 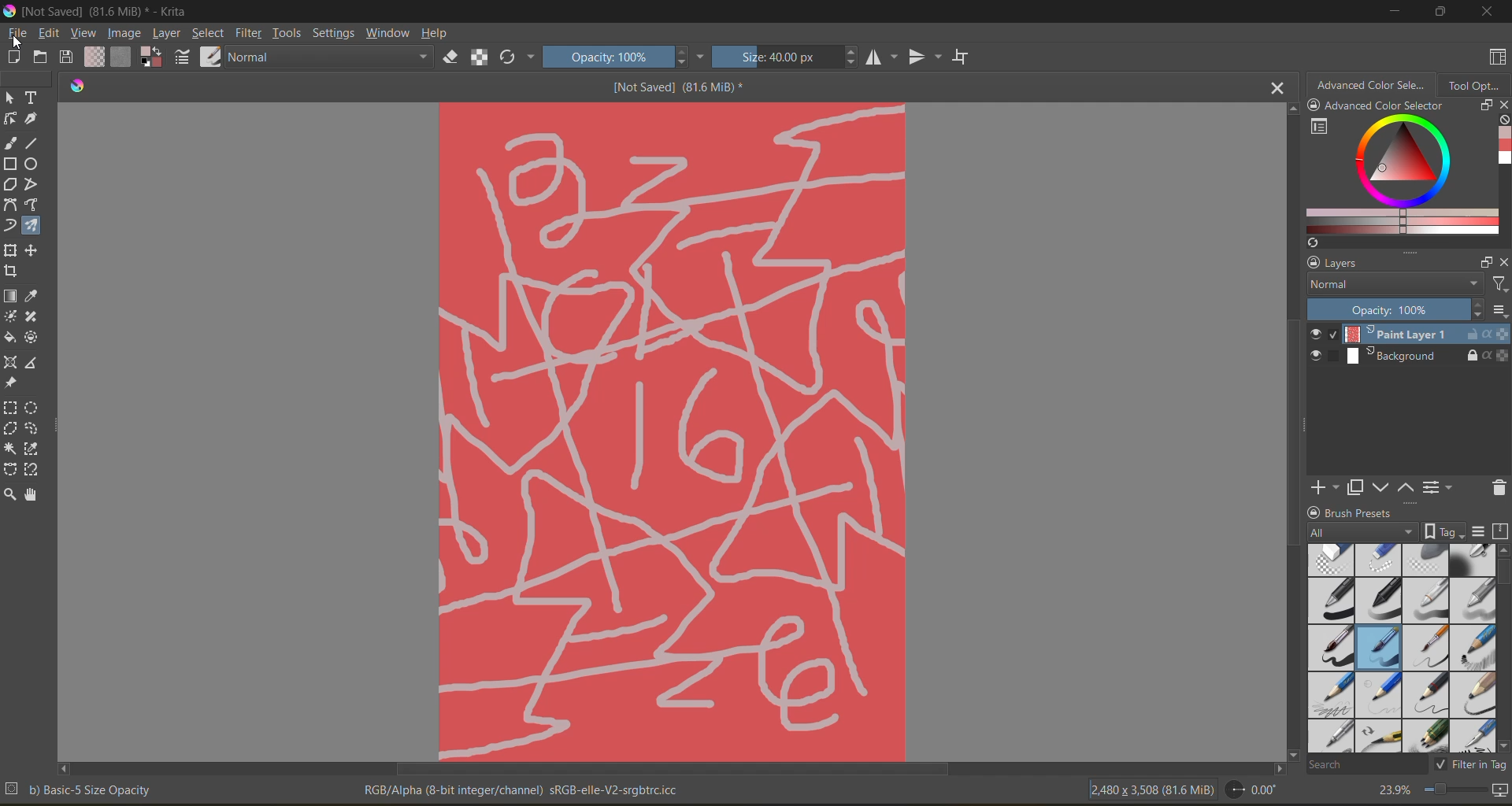 What do you see at coordinates (1384, 107) in the screenshot?
I see `Advanced color selector` at bounding box center [1384, 107].